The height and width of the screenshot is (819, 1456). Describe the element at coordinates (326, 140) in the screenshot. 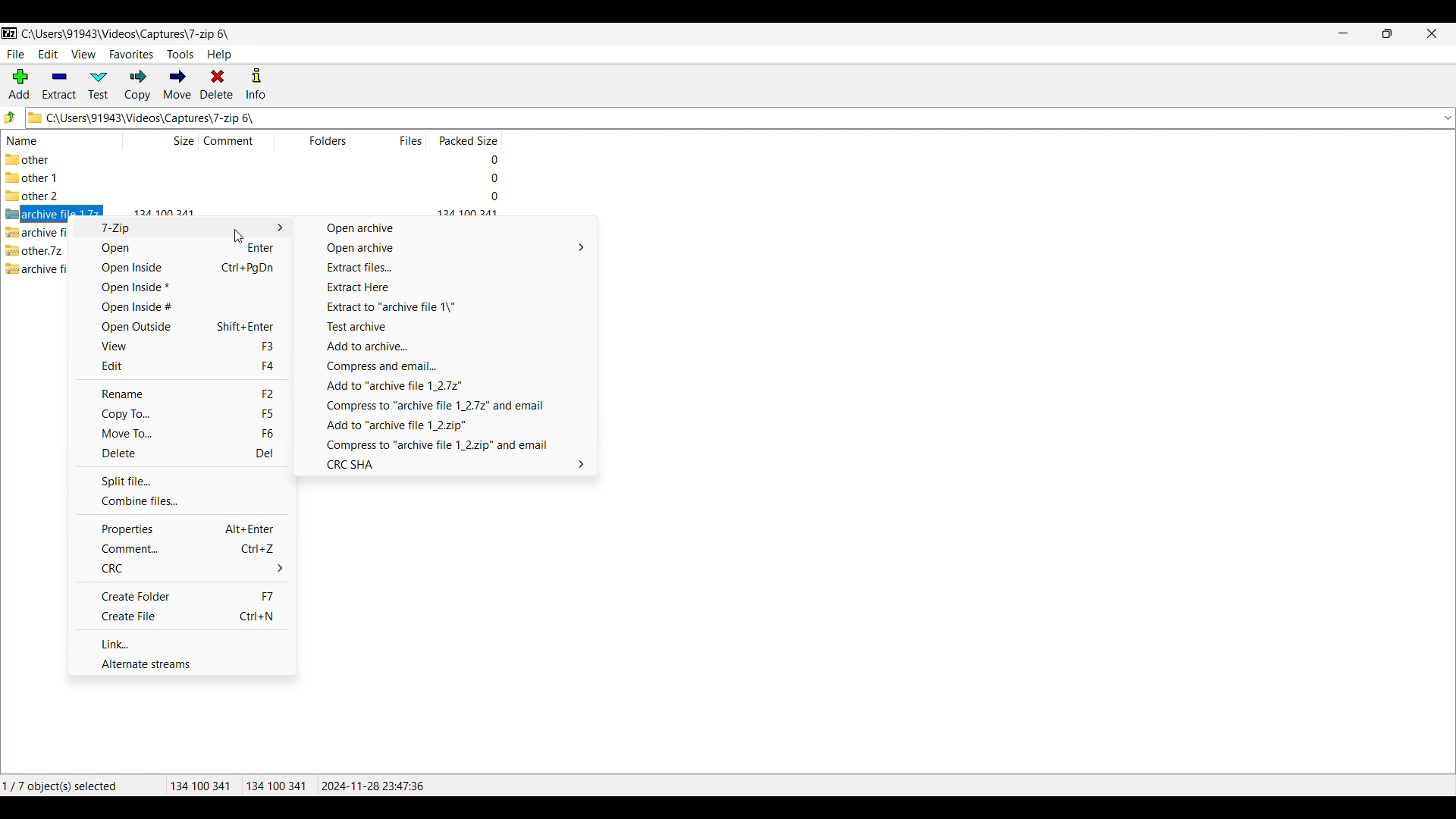

I see `Folder` at that location.